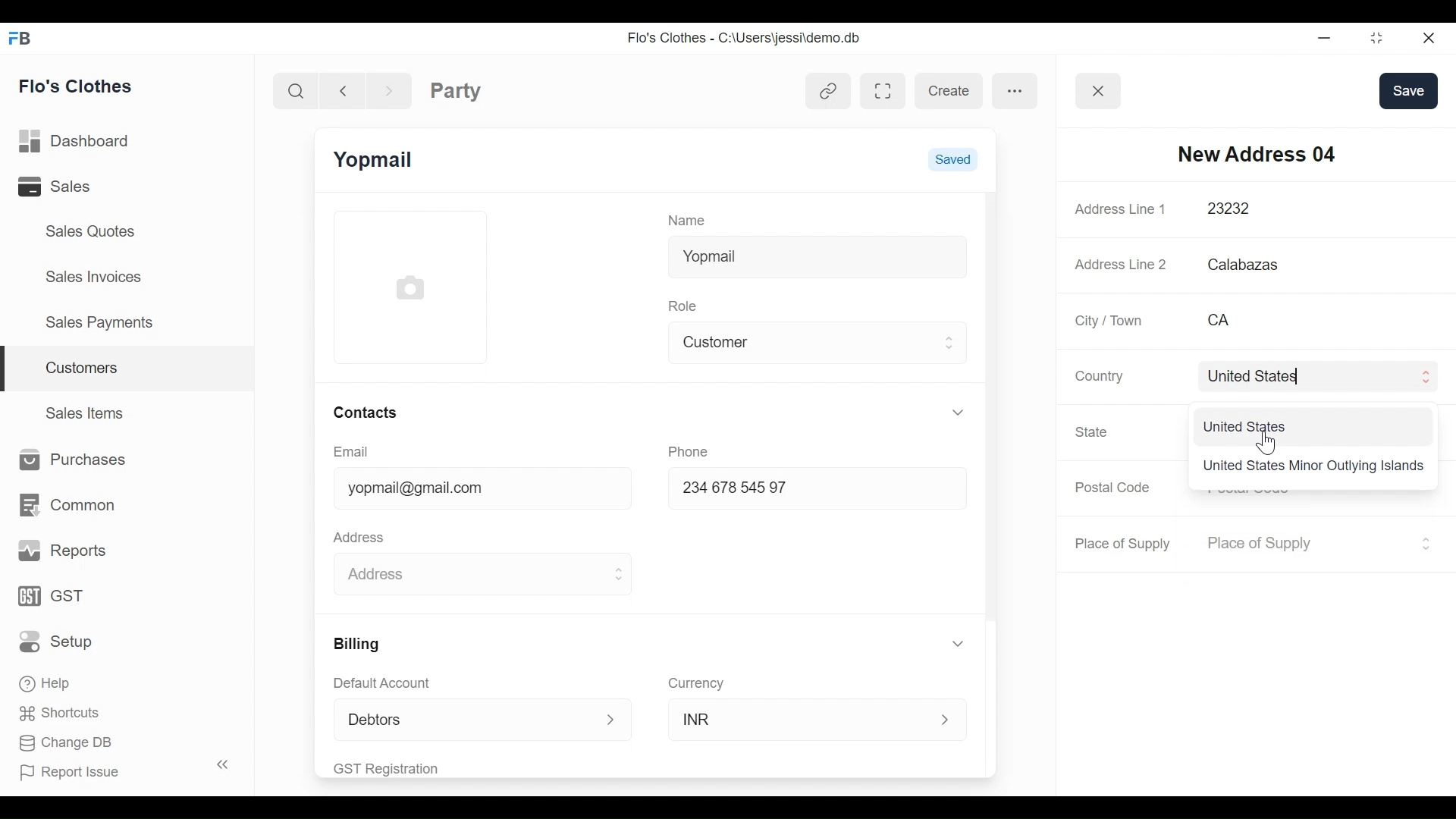 This screenshot has height=819, width=1456. Describe the element at coordinates (392, 682) in the screenshot. I see `Default Account` at that location.